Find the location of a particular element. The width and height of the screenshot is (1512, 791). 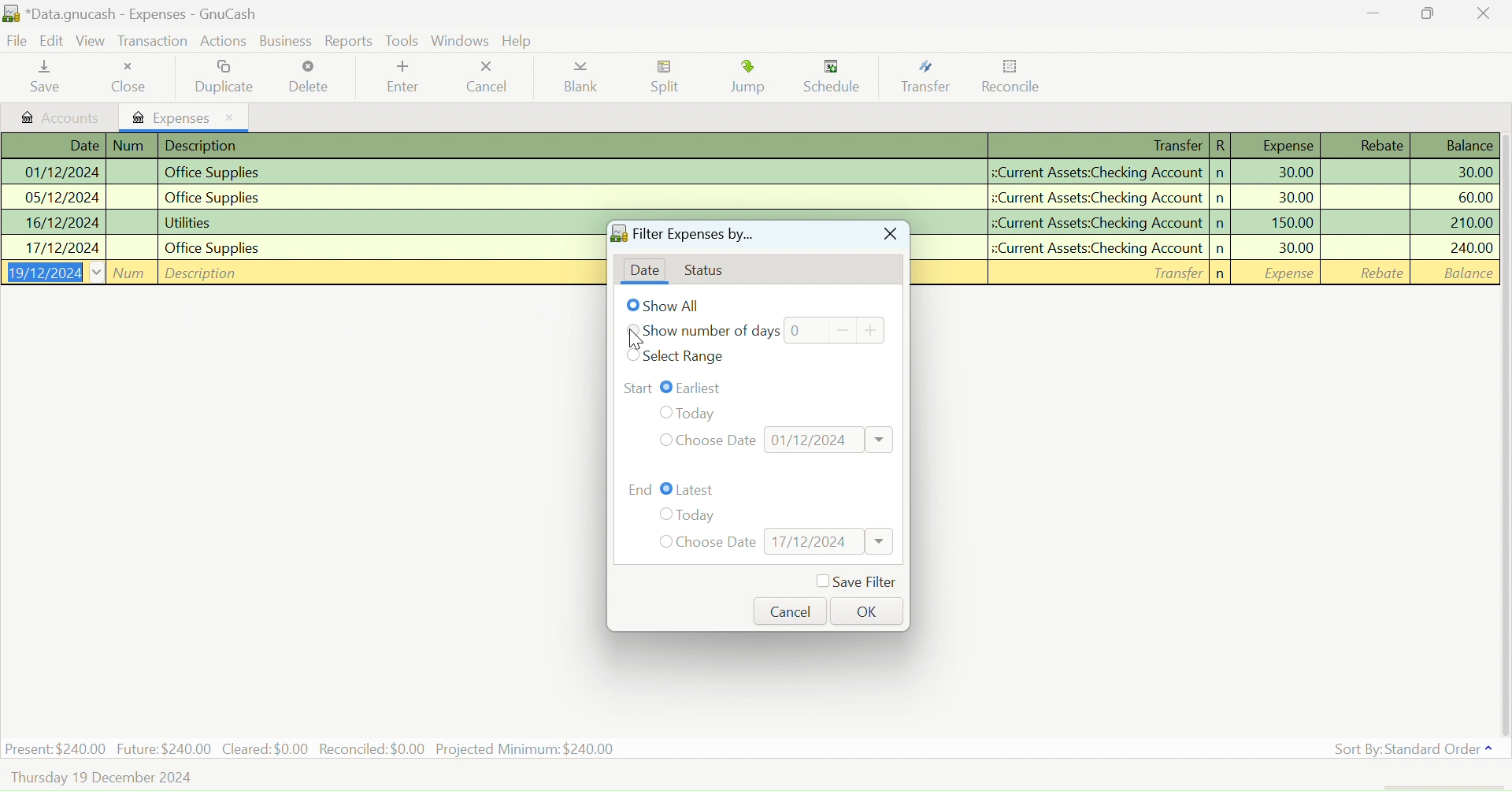

Office Supplies Transaction is located at coordinates (299, 247).